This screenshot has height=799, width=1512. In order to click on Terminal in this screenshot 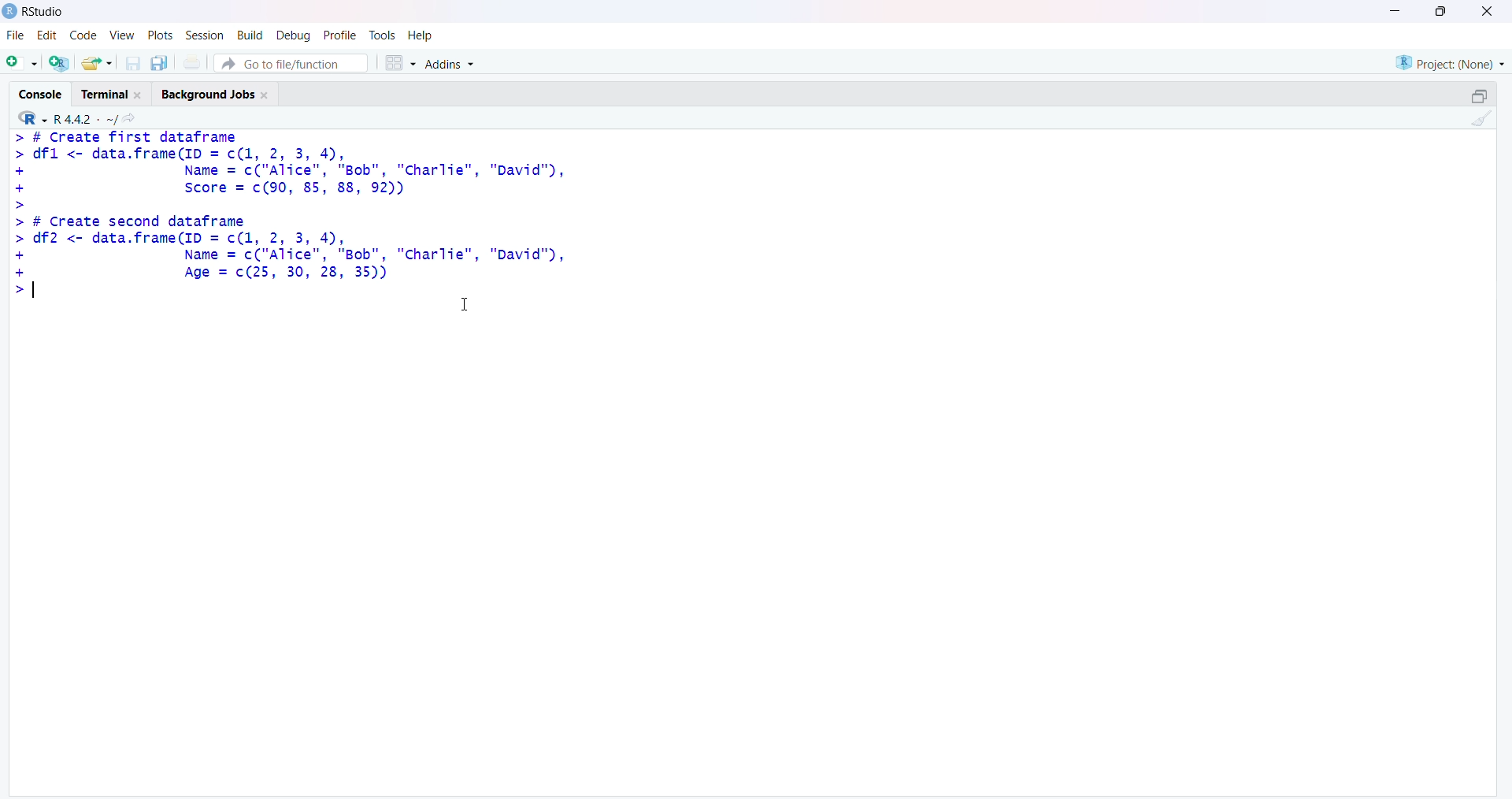, I will do `click(106, 95)`.